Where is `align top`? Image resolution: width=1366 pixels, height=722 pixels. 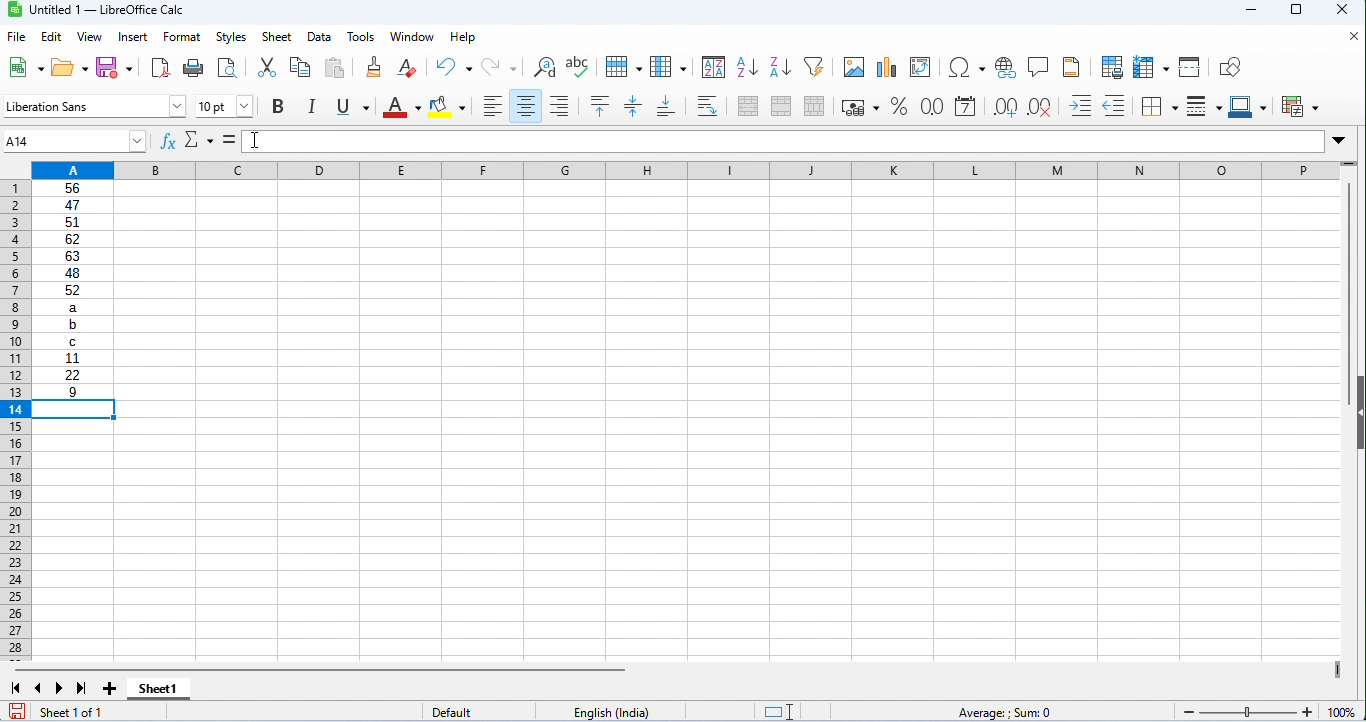
align top is located at coordinates (598, 105).